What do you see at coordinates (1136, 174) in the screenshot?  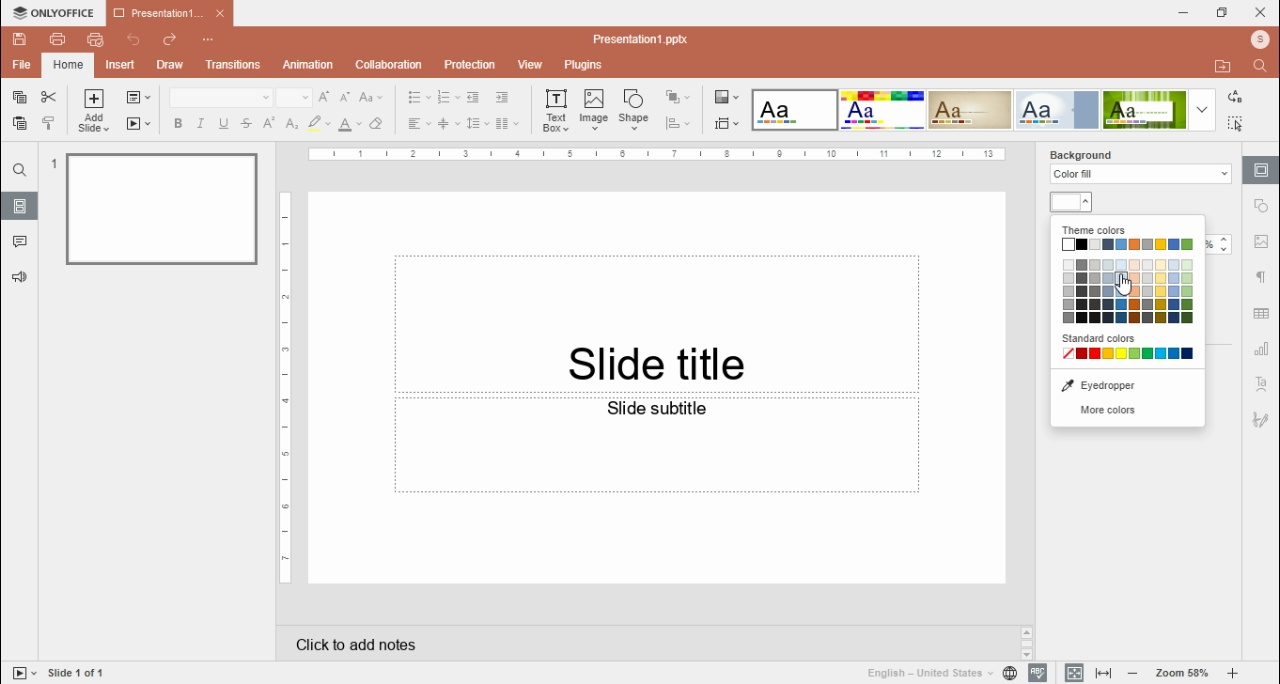 I see `background fill settings` at bounding box center [1136, 174].